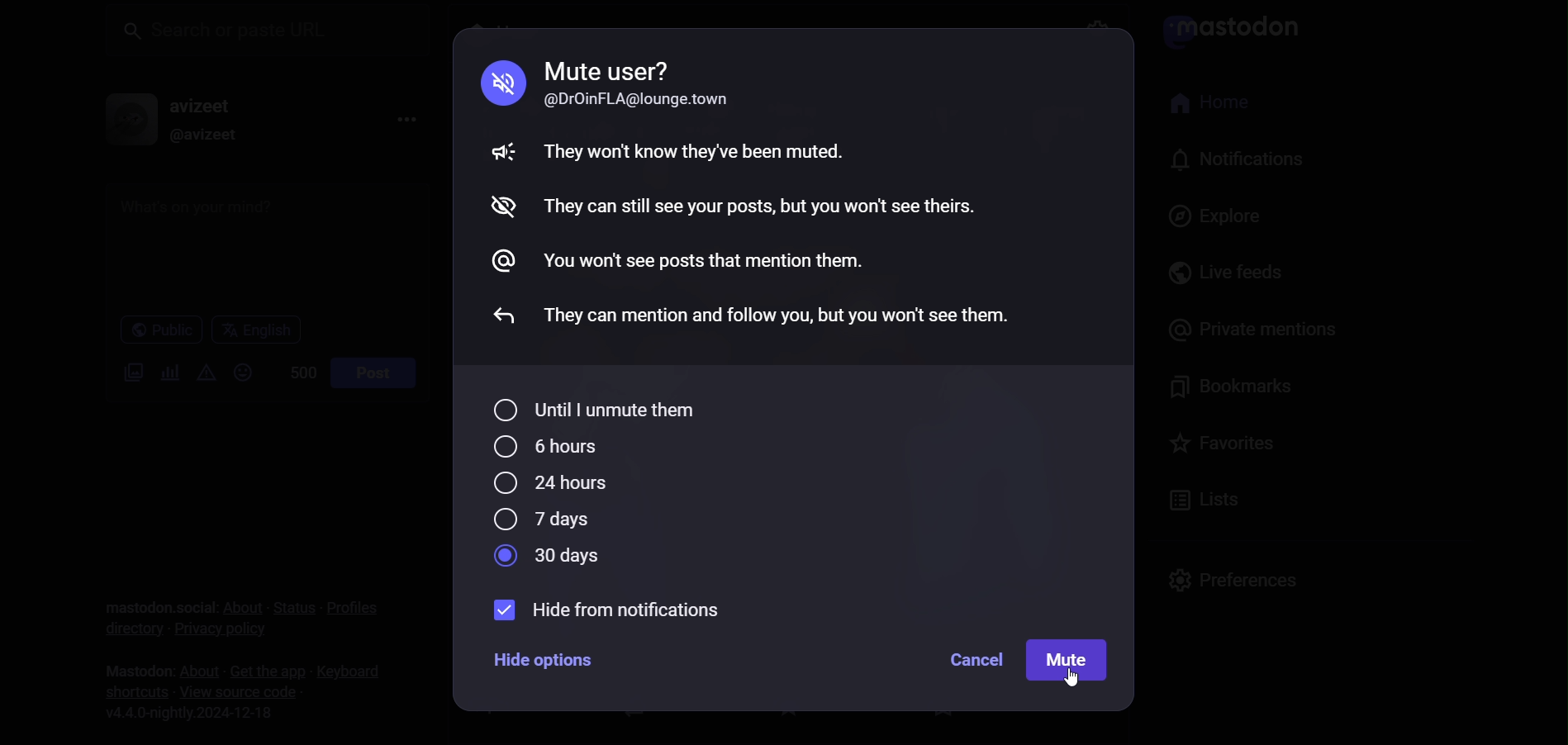 The height and width of the screenshot is (745, 1568). Describe the element at coordinates (548, 486) in the screenshot. I see `24 hours` at that location.